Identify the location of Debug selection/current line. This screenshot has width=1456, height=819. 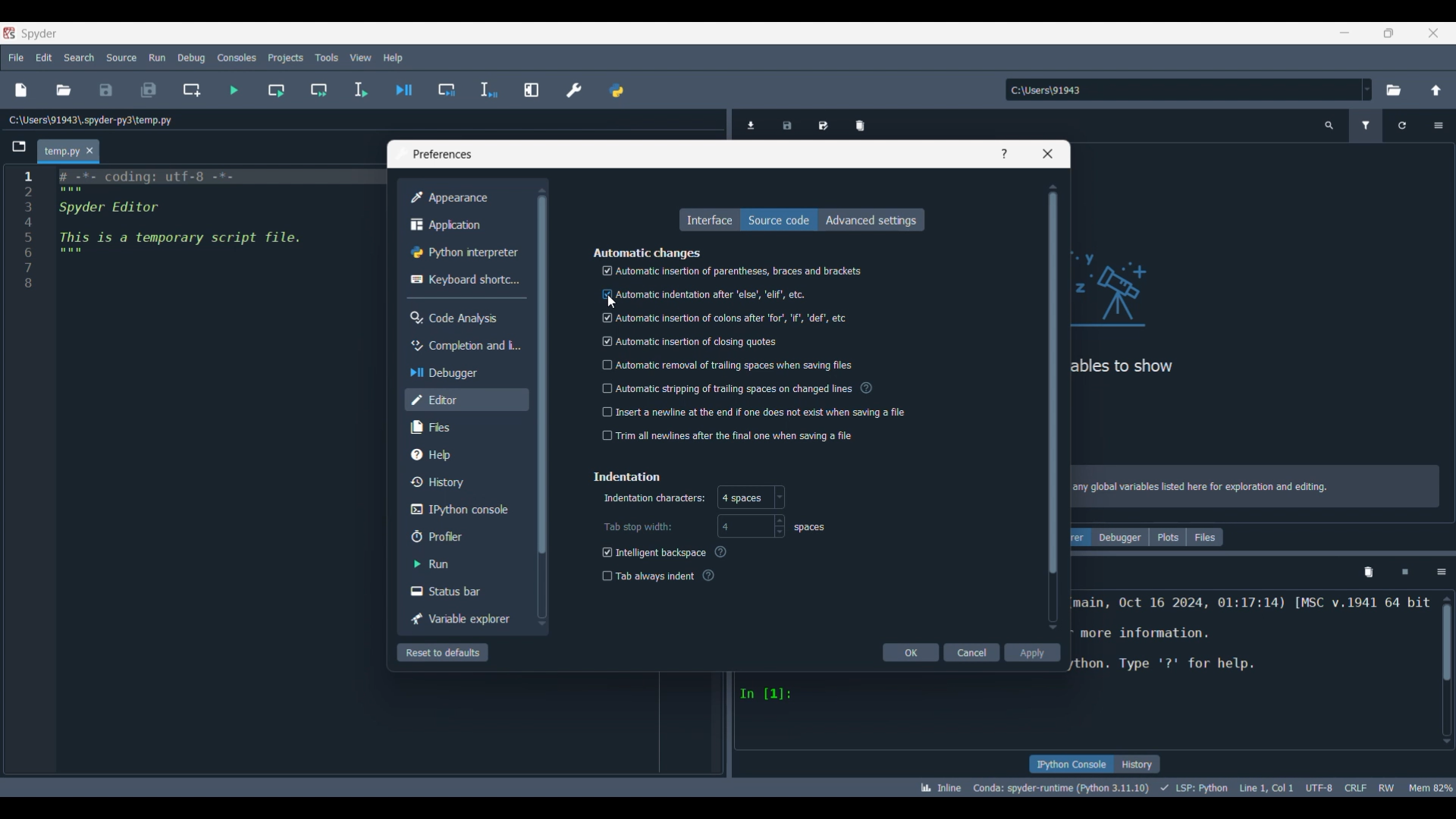
(488, 90).